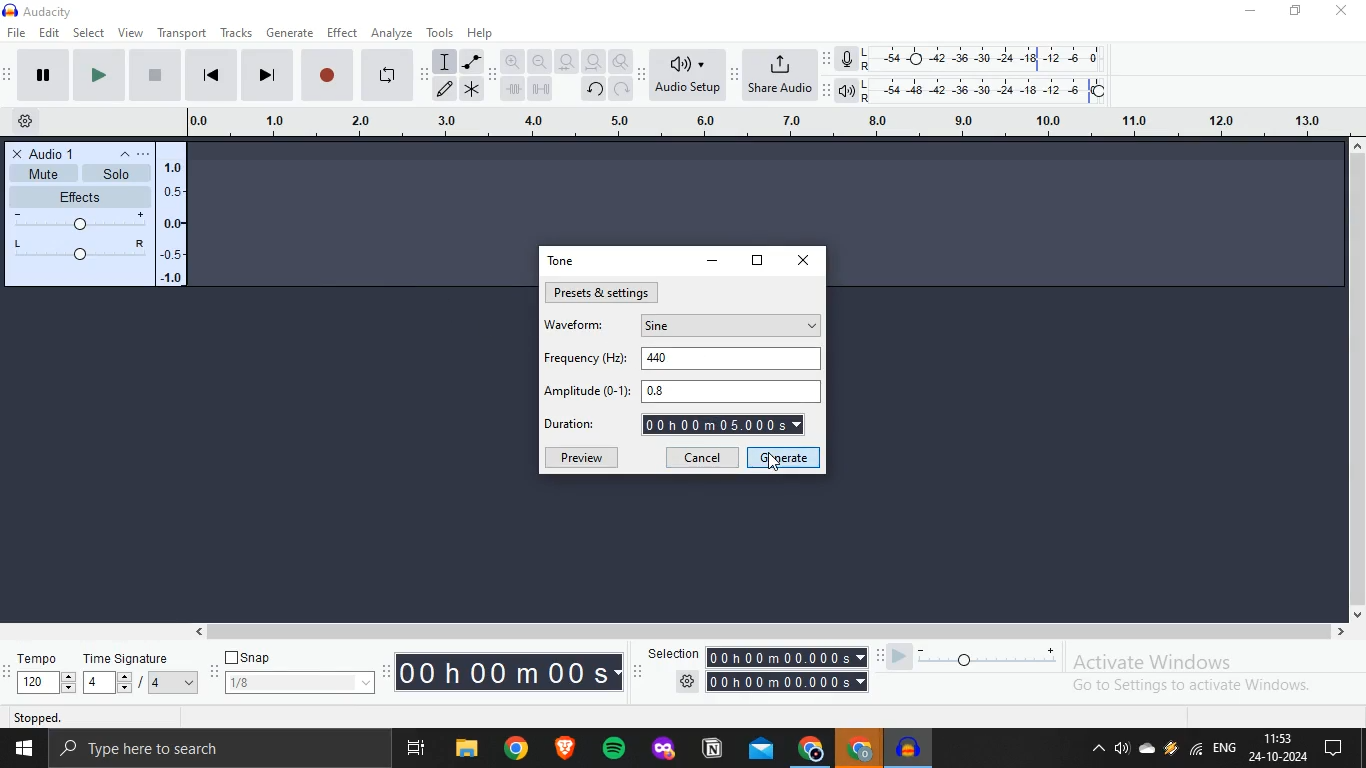  Describe the element at coordinates (970, 654) in the screenshot. I see `Slider` at that location.